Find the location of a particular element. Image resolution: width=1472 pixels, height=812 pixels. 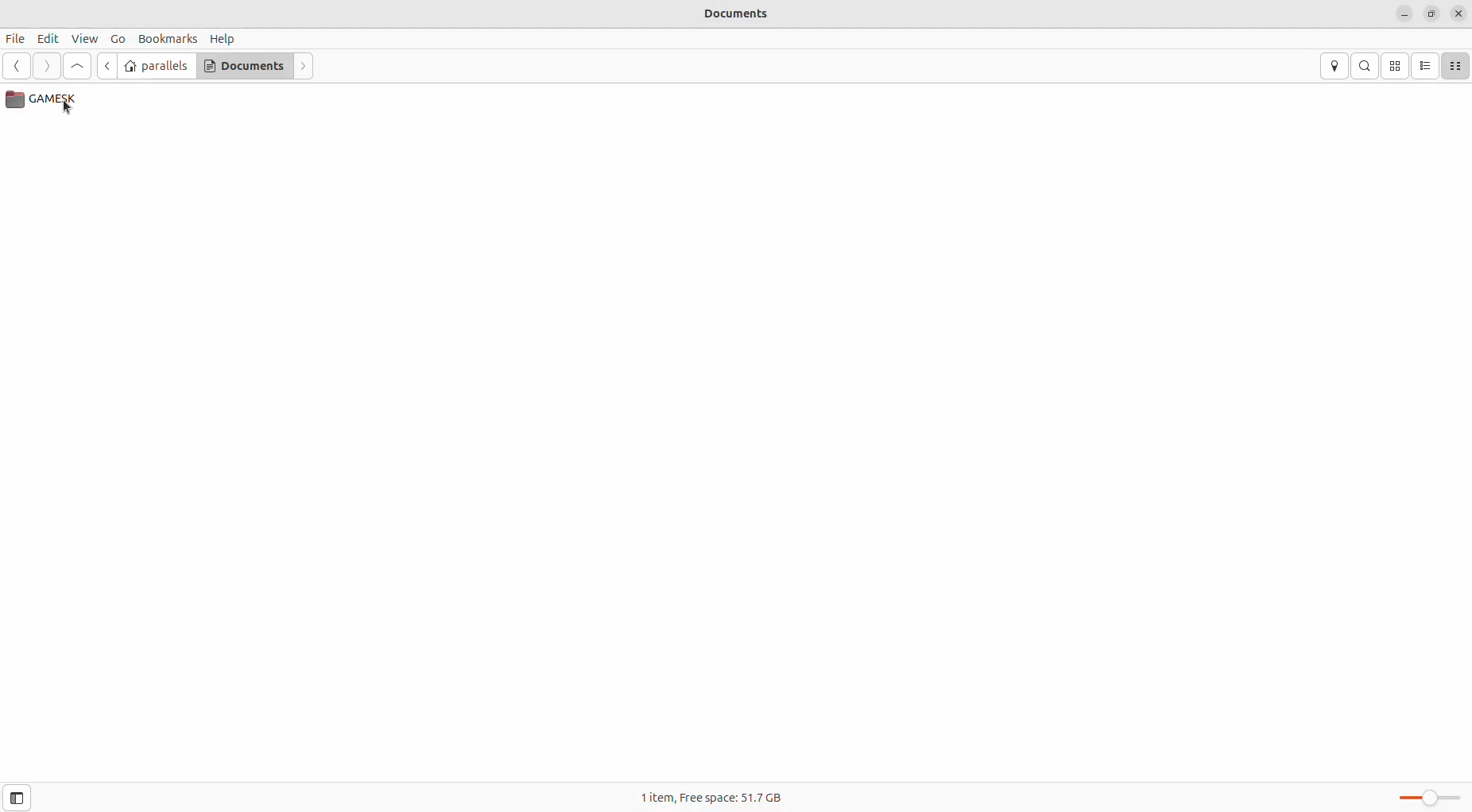

Help is located at coordinates (226, 40).